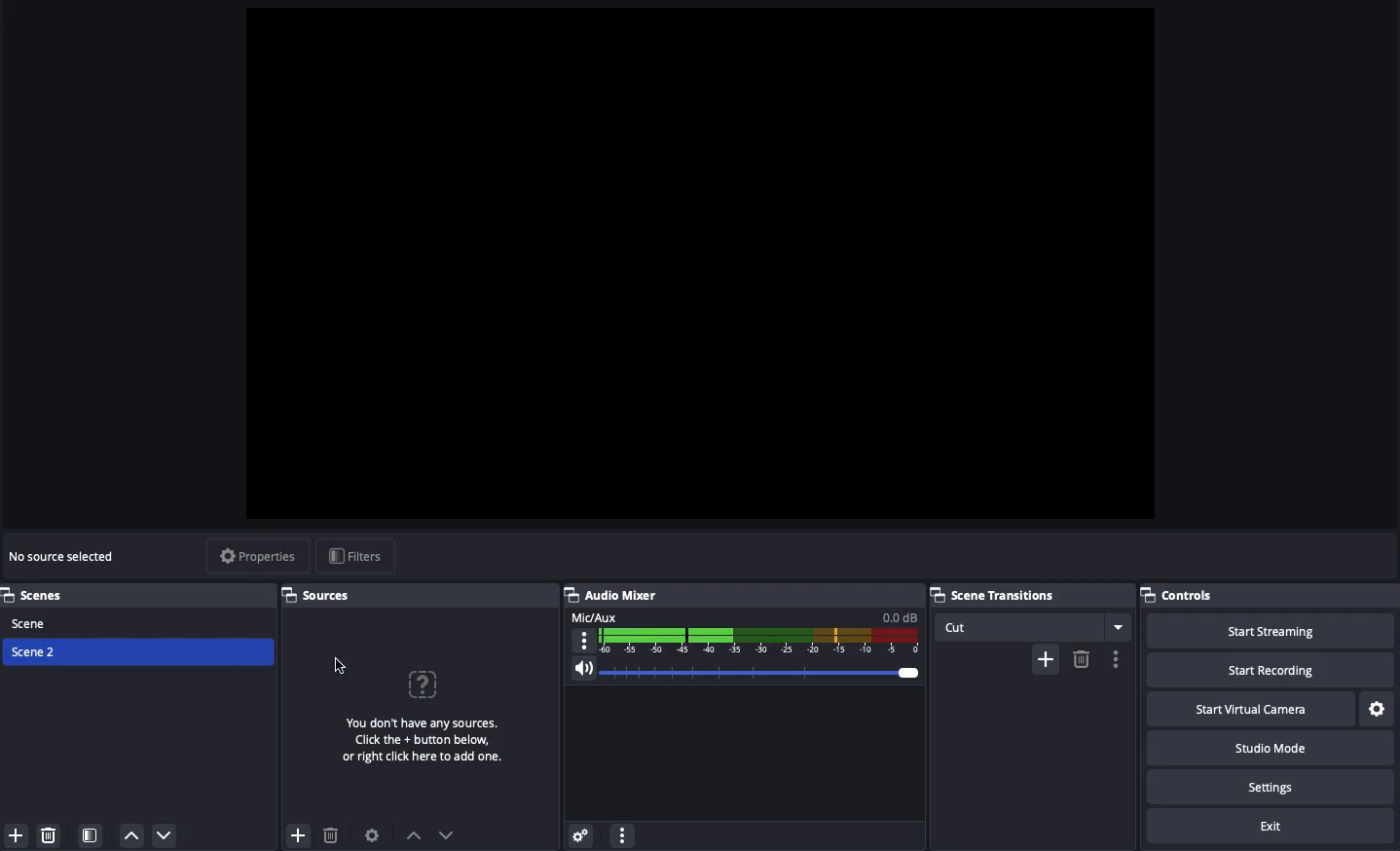 The image size is (1400, 851). I want to click on Remove, so click(48, 833).